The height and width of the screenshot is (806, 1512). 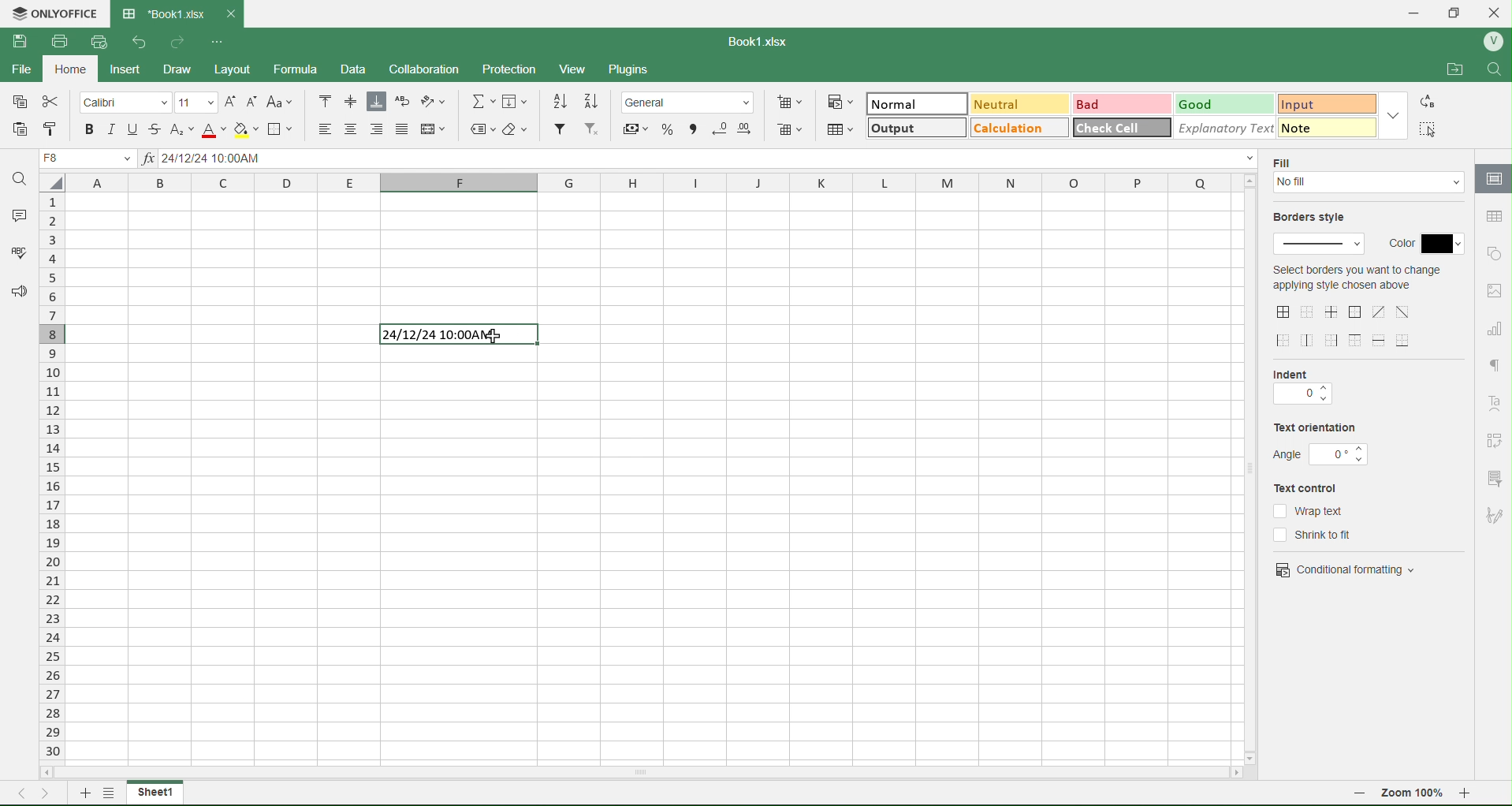 I want to click on Decrement Font Size, so click(x=252, y=100).